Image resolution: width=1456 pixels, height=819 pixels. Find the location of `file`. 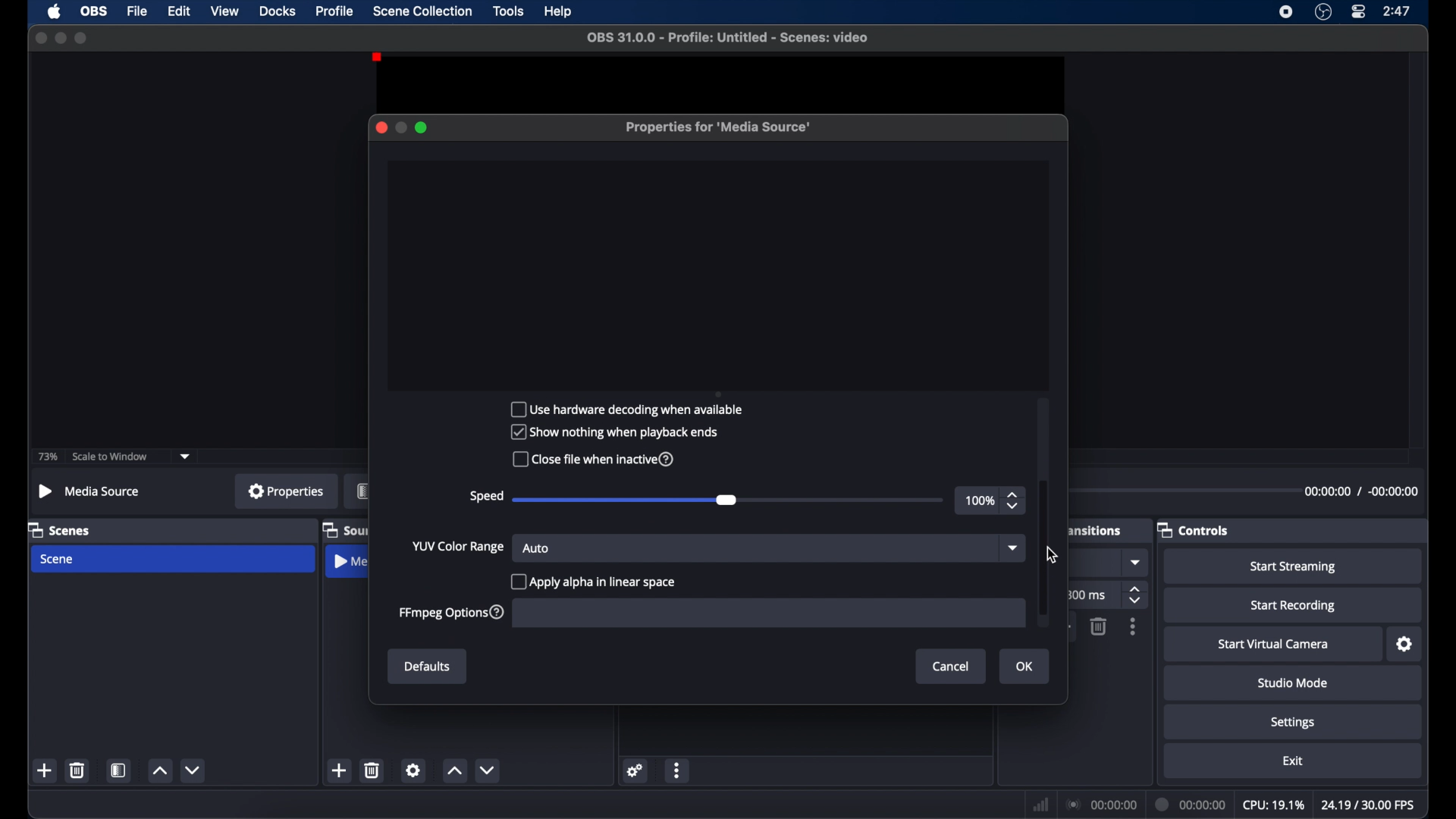

file is located at coordinates (138, 11).